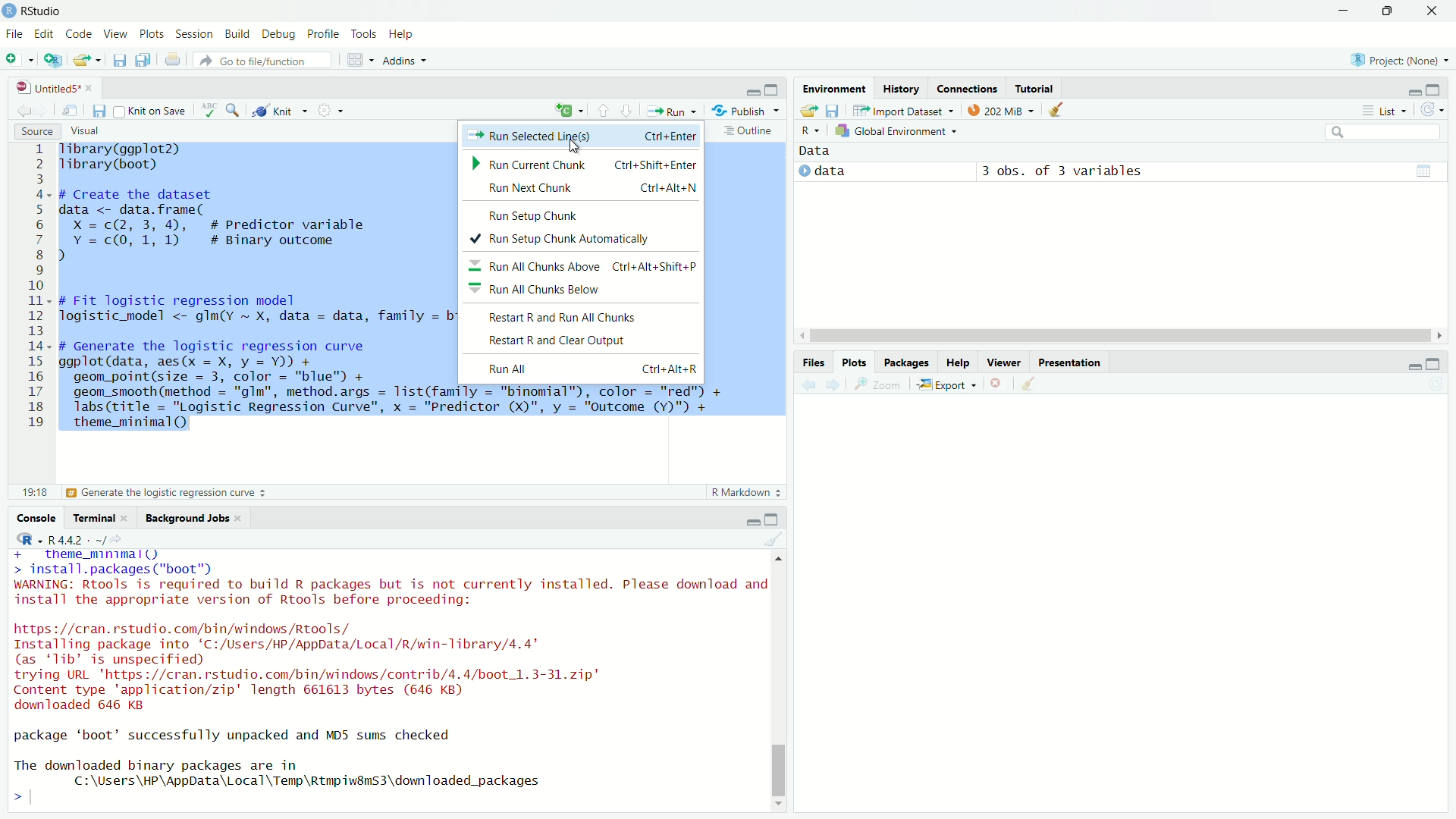  I want to click on Remove current plot, so click(999, 383).